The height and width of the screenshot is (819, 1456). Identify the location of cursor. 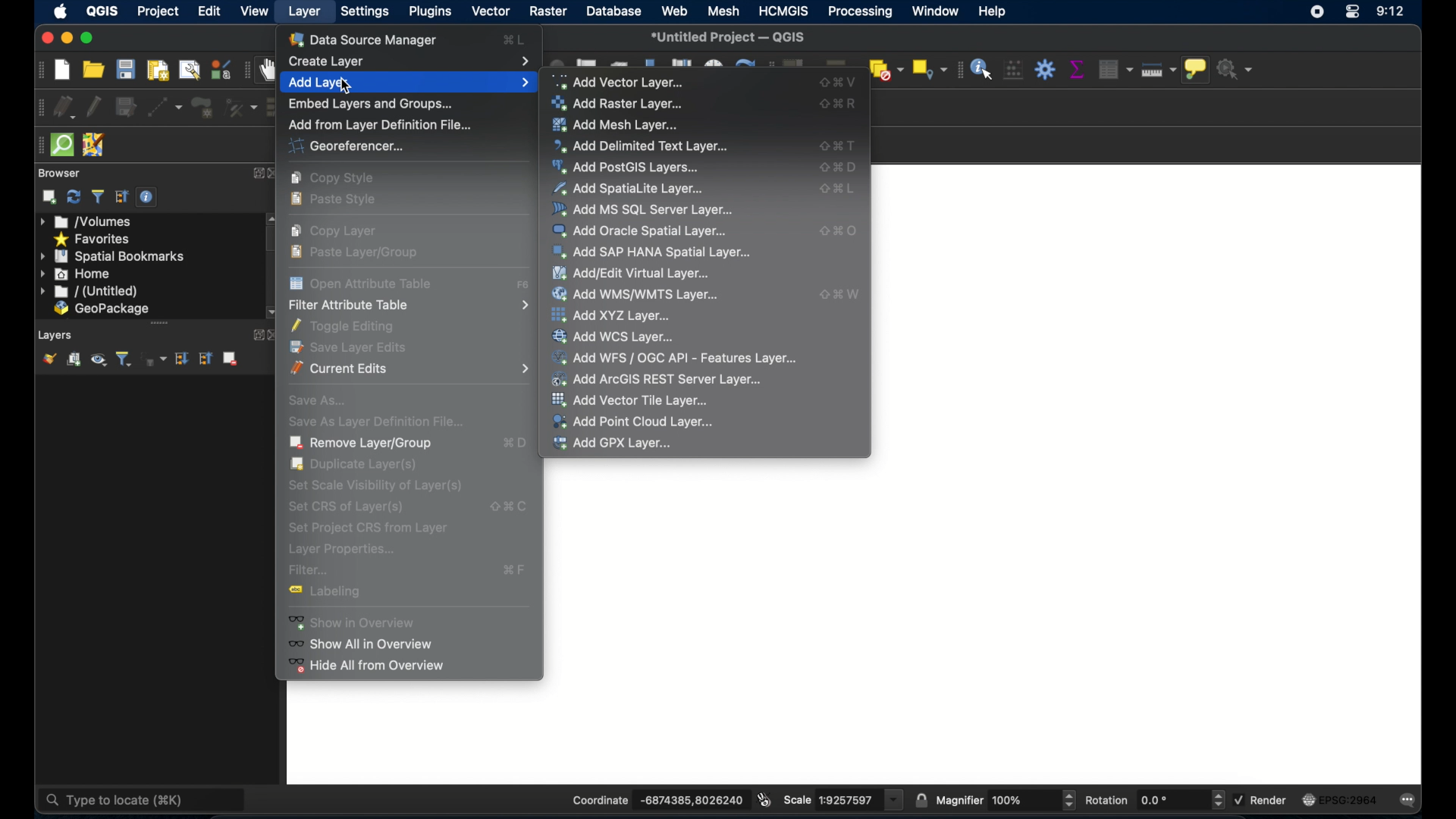
(344, 86).